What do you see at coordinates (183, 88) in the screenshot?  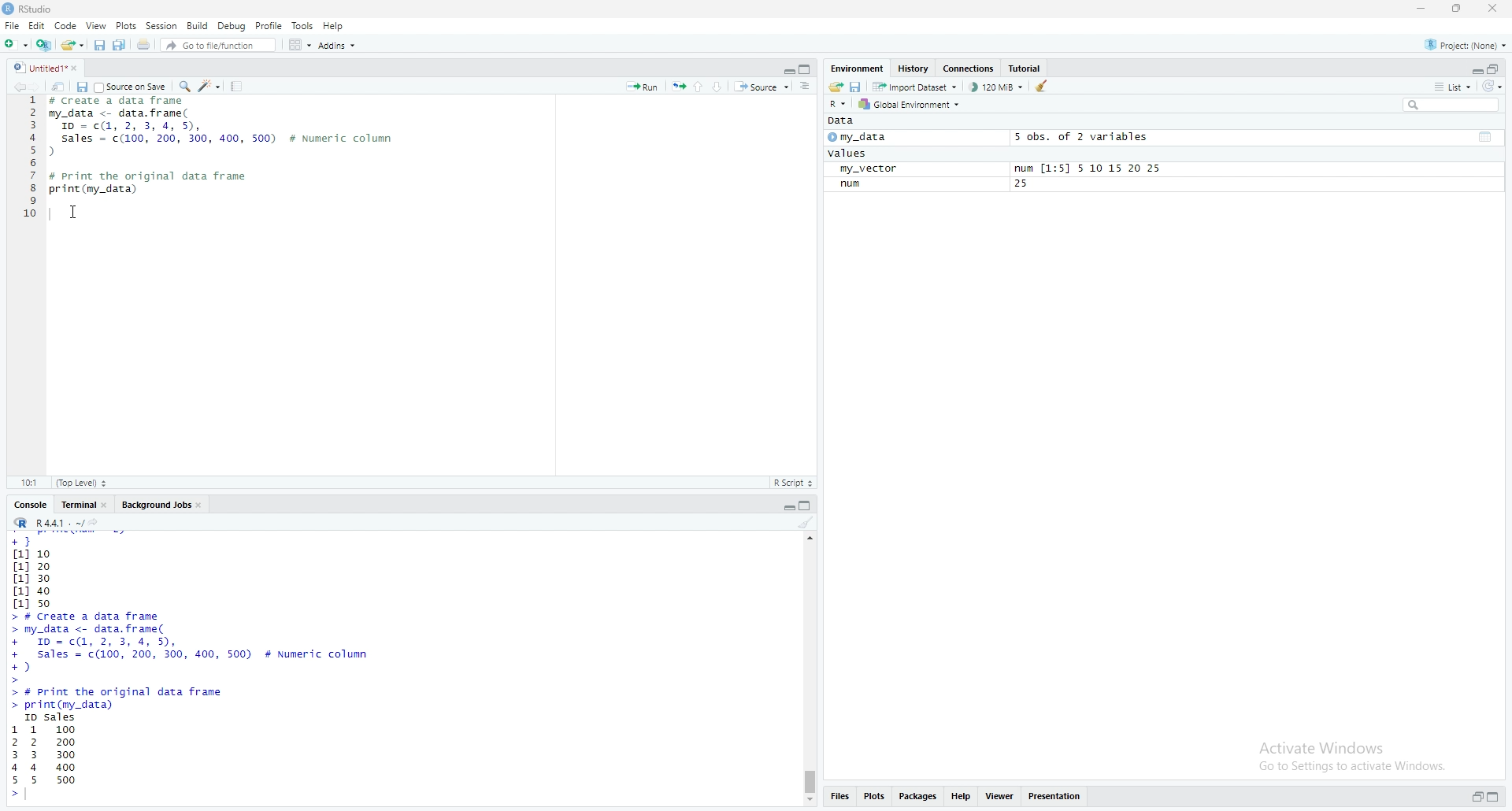 I see `find/replace` at bounding box center [183, 88].